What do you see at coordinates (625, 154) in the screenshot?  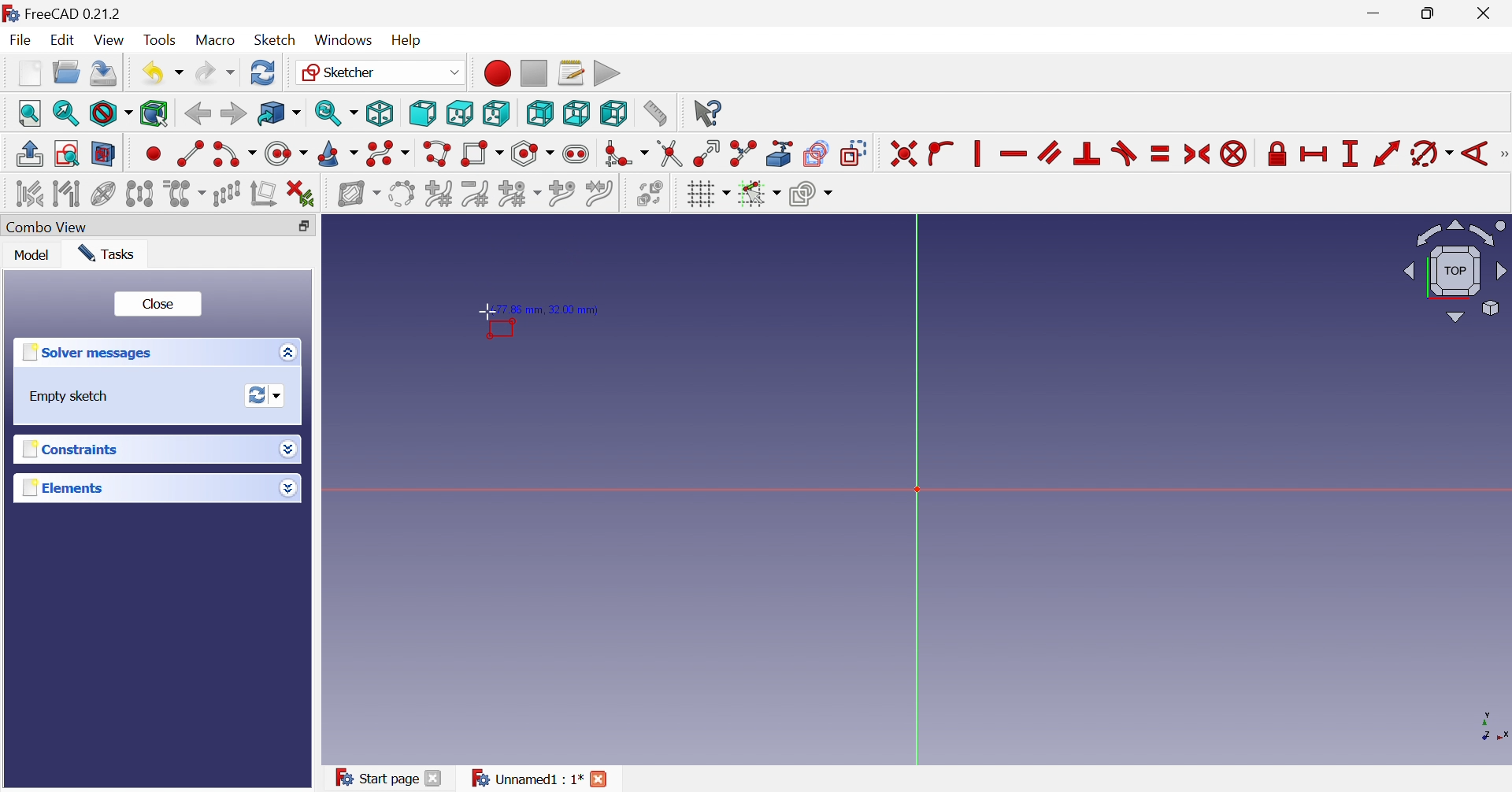 I see `Create fillet` at bounding box center [625, 154].